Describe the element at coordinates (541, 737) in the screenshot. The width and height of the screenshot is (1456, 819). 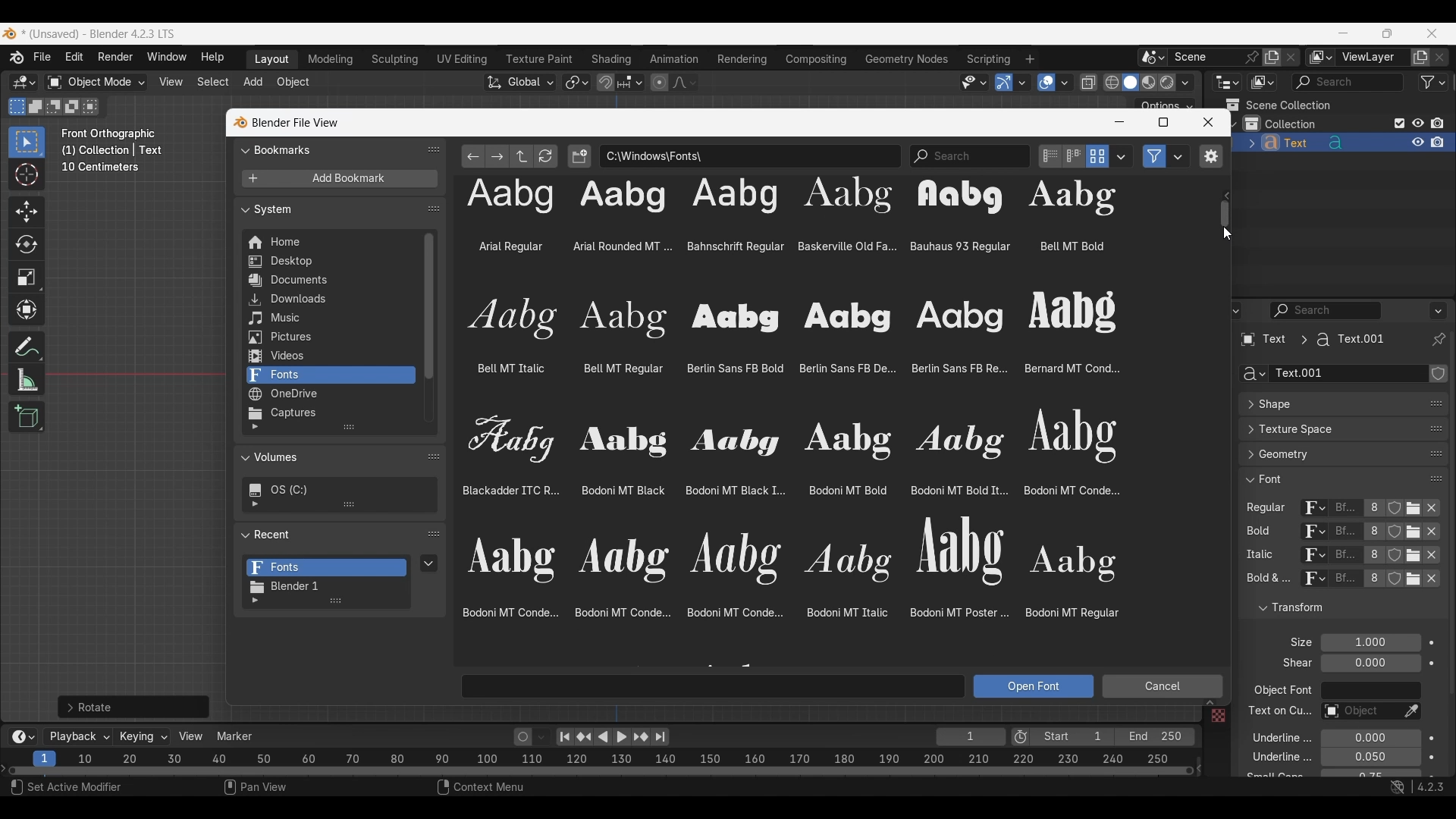
I see `Auto keyframing` at that location.